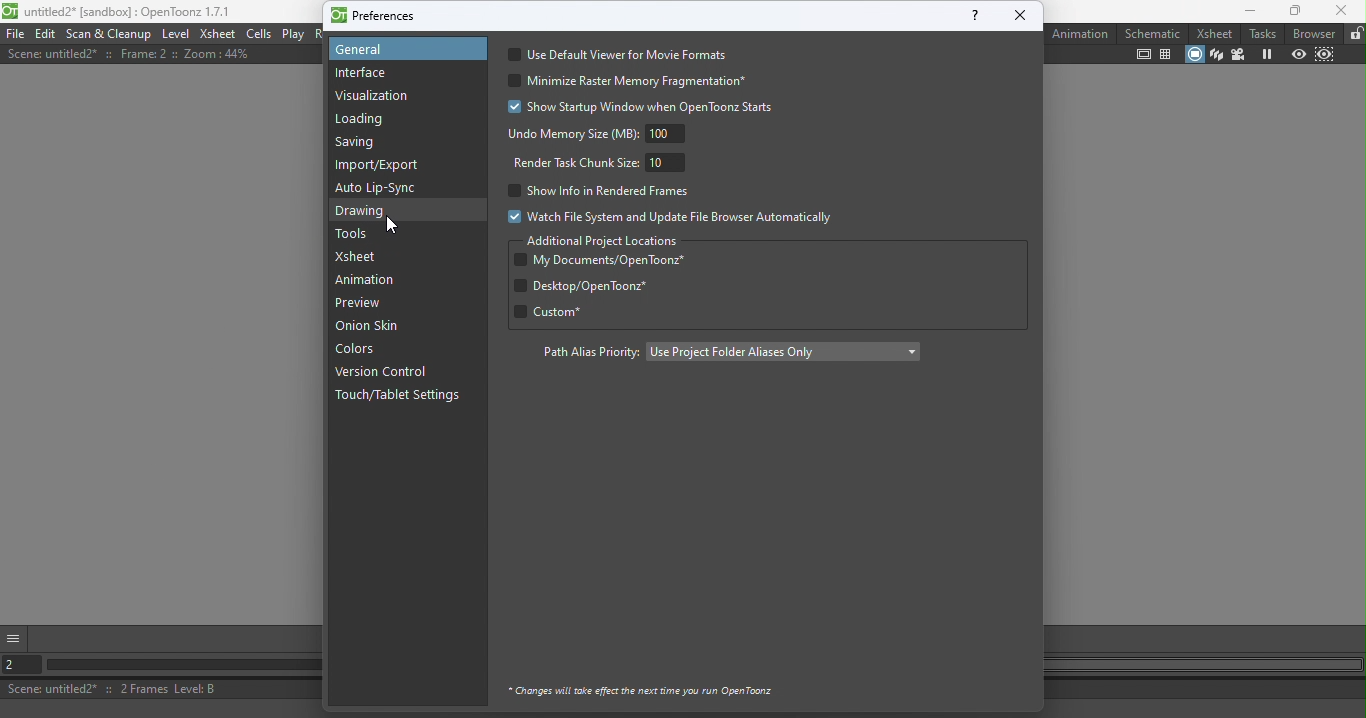 Image resolution: width=1366 pixels, height=718 pixels. Describe the element at coordinates (403, 396) in the screenshot. I see `Touch/tablet settings` at that location.